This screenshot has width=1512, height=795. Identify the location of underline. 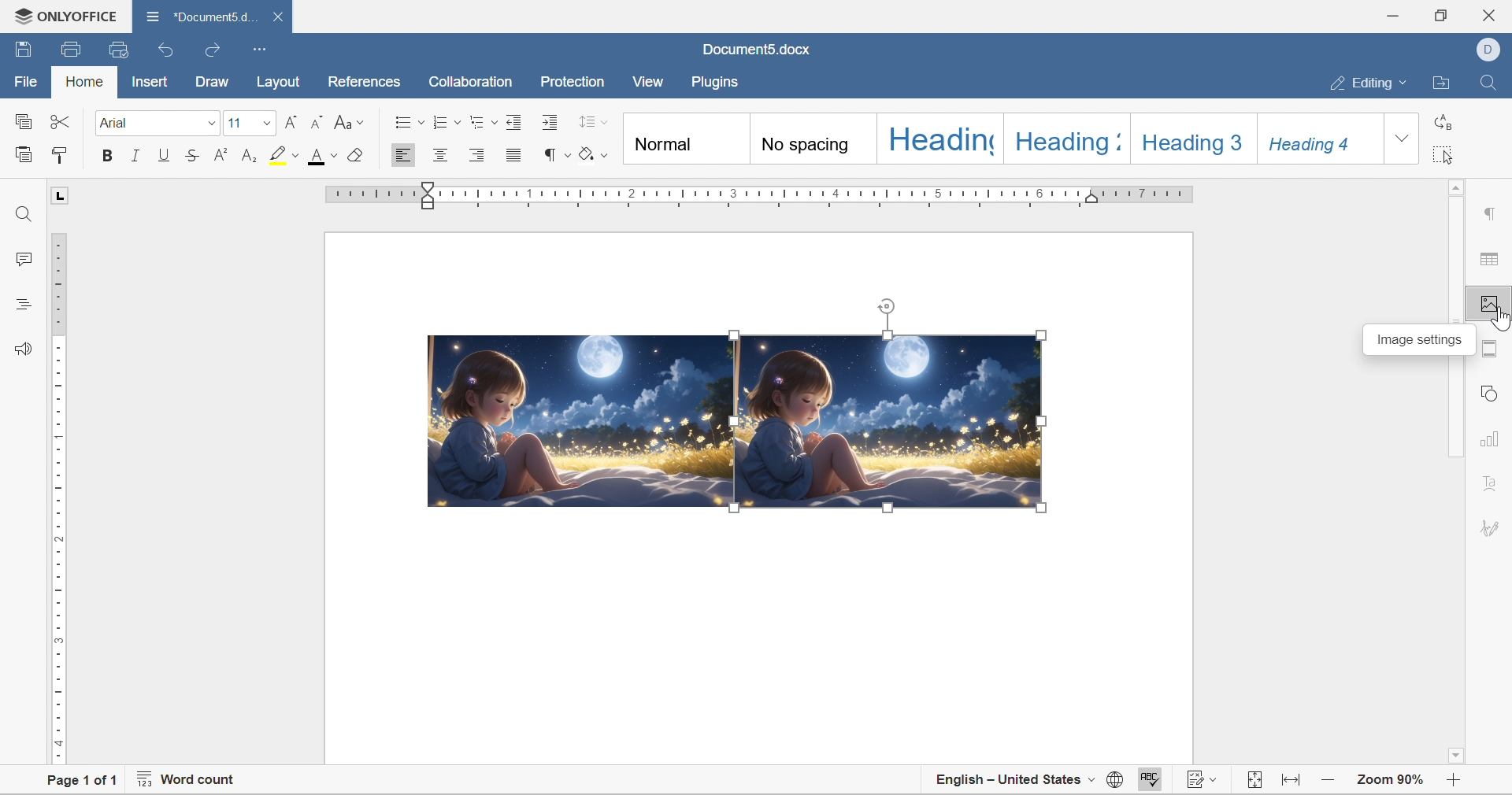
(165, 154).